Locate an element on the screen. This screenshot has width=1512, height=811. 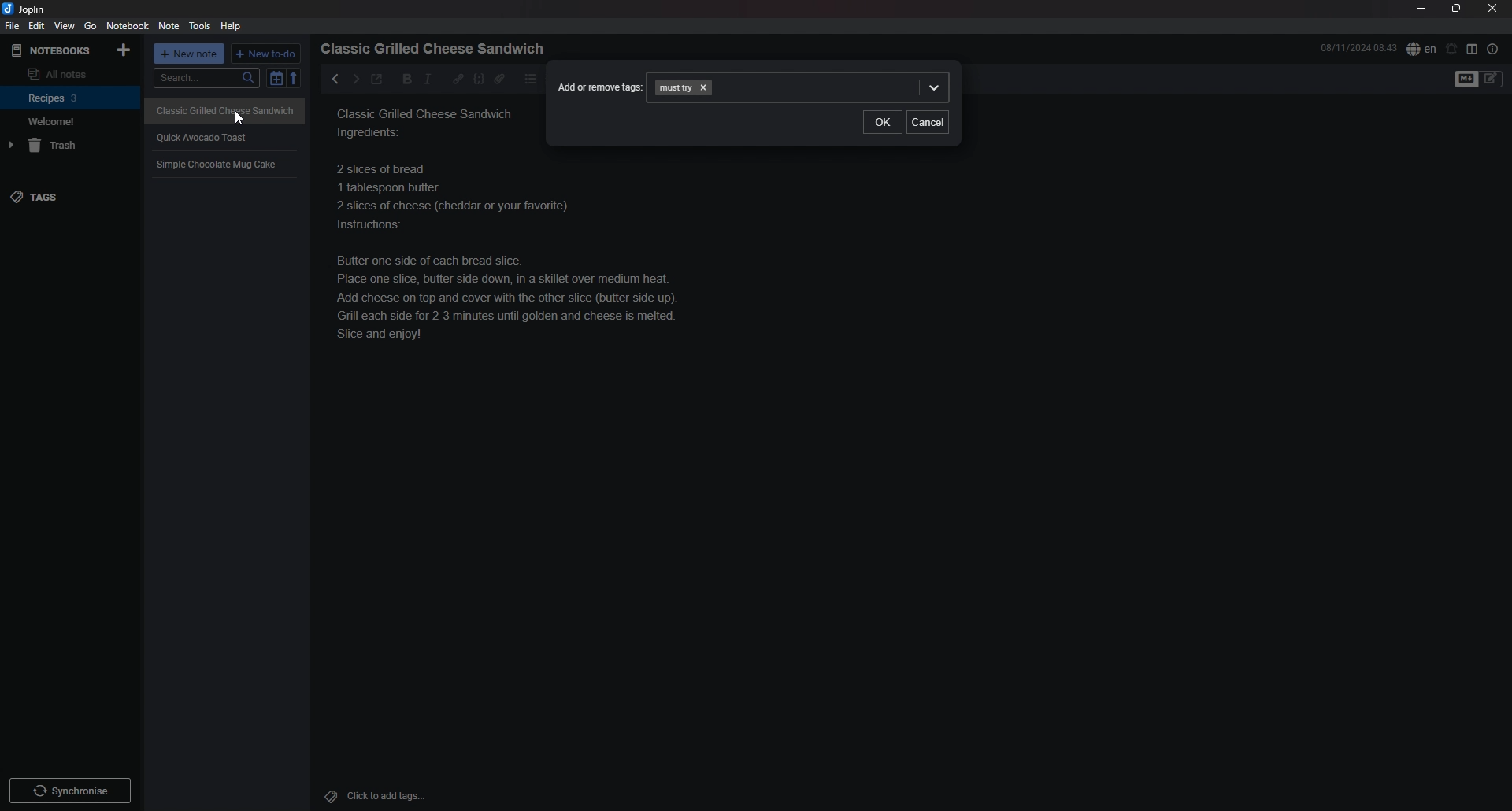
notebook is located at coordinates (71, 97).